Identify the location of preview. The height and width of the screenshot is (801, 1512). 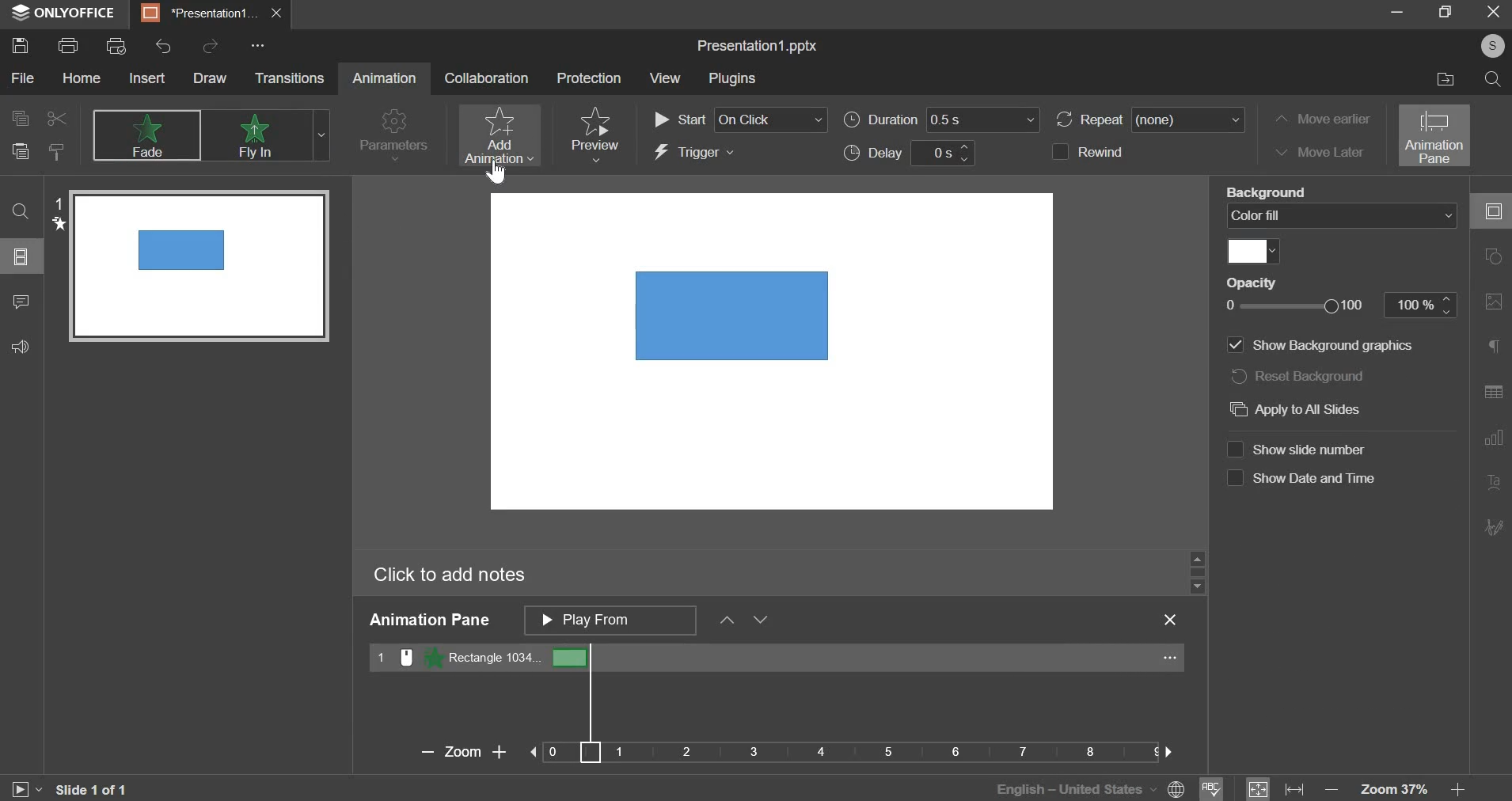
(596, 129).